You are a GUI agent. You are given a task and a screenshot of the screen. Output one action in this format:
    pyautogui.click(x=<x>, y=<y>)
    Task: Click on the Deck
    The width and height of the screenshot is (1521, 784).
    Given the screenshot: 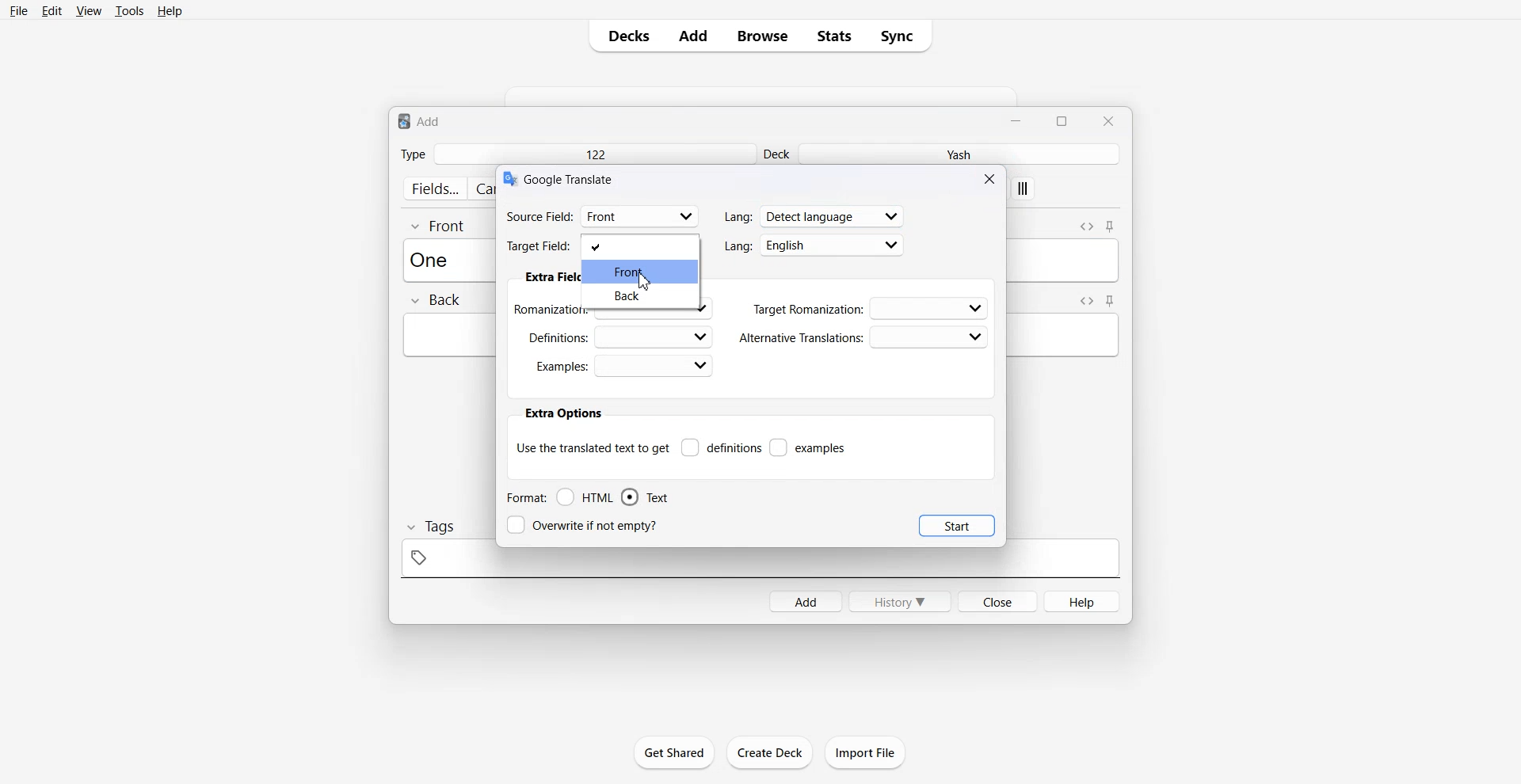 What is the action you would take?
    pyautogui.click(x=779, y=154)
    